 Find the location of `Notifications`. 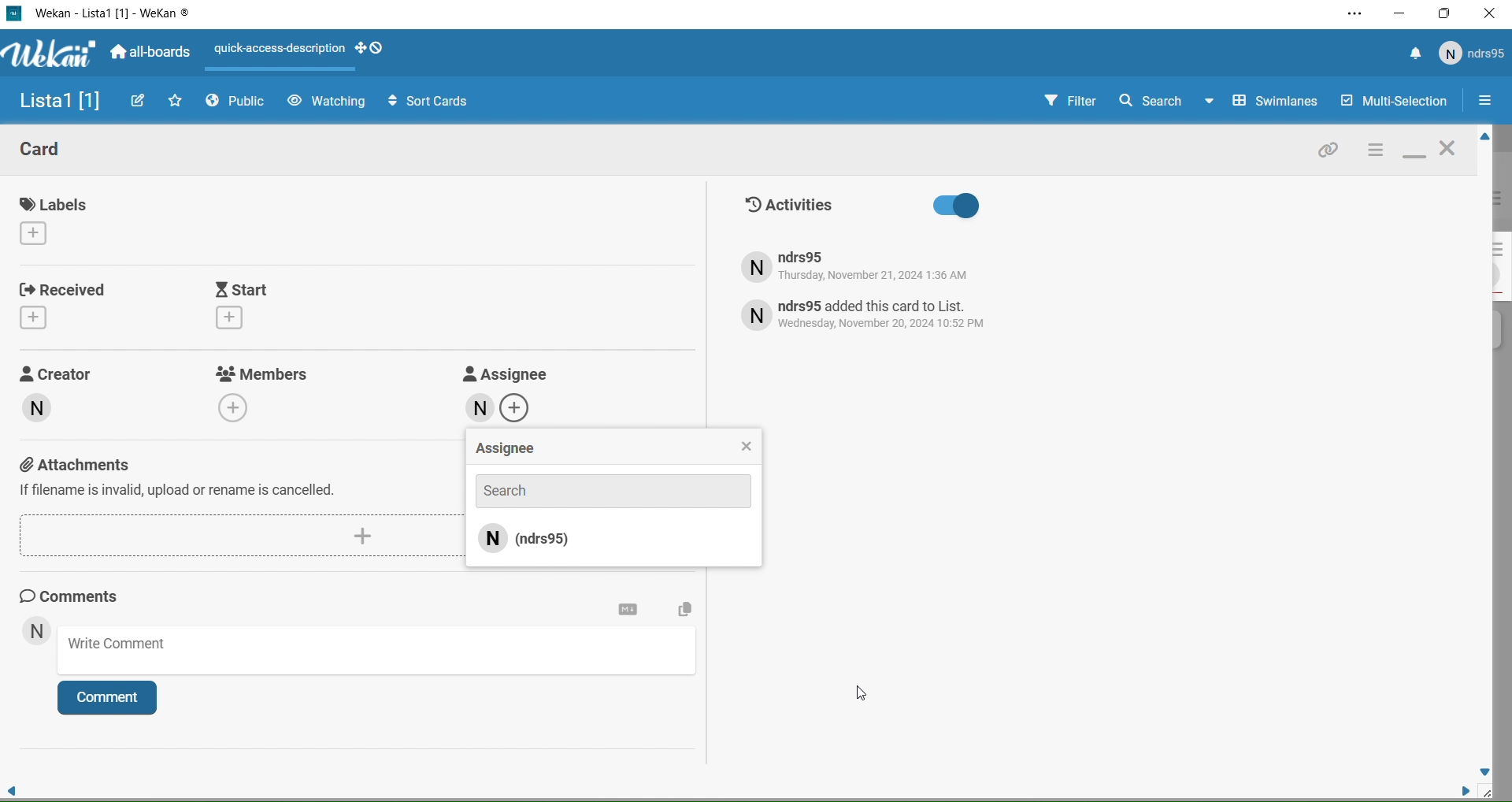

Notifications is located at coordinates (1415, 55).